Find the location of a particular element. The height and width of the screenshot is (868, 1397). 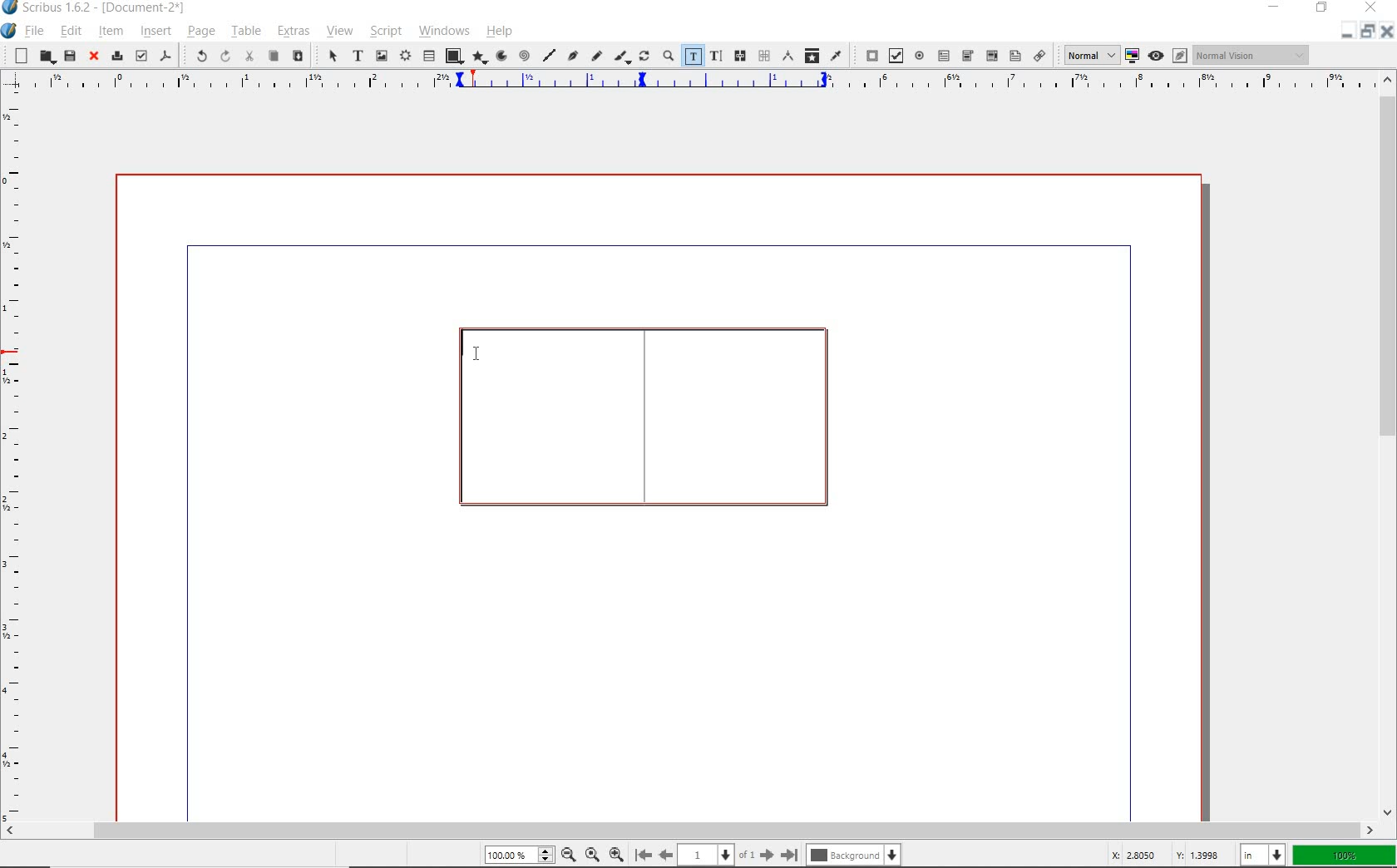

text frame is located at coordinates (358, 56).